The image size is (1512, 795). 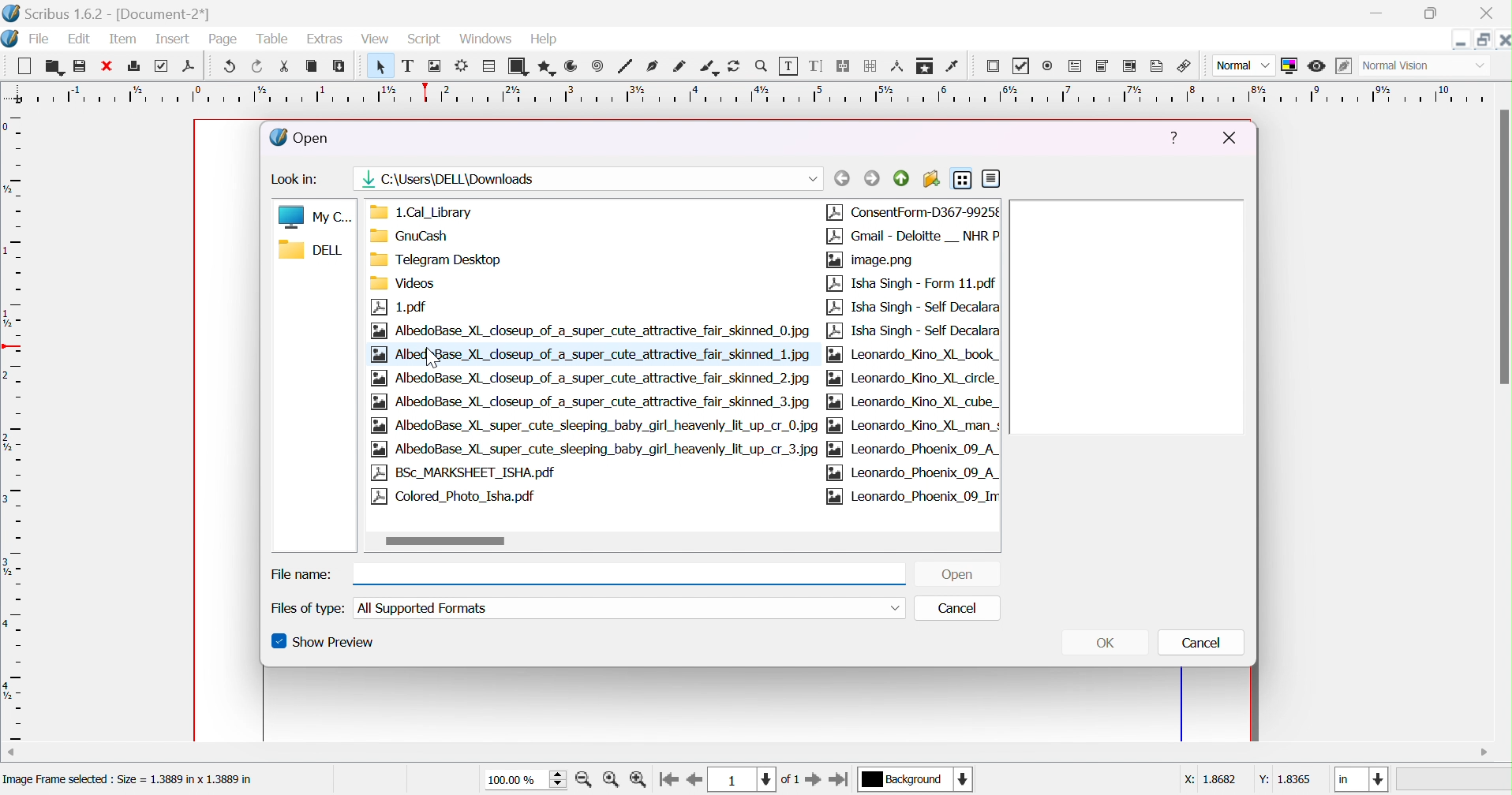 I want to click on normal vision, so click(x=1424, y=66).